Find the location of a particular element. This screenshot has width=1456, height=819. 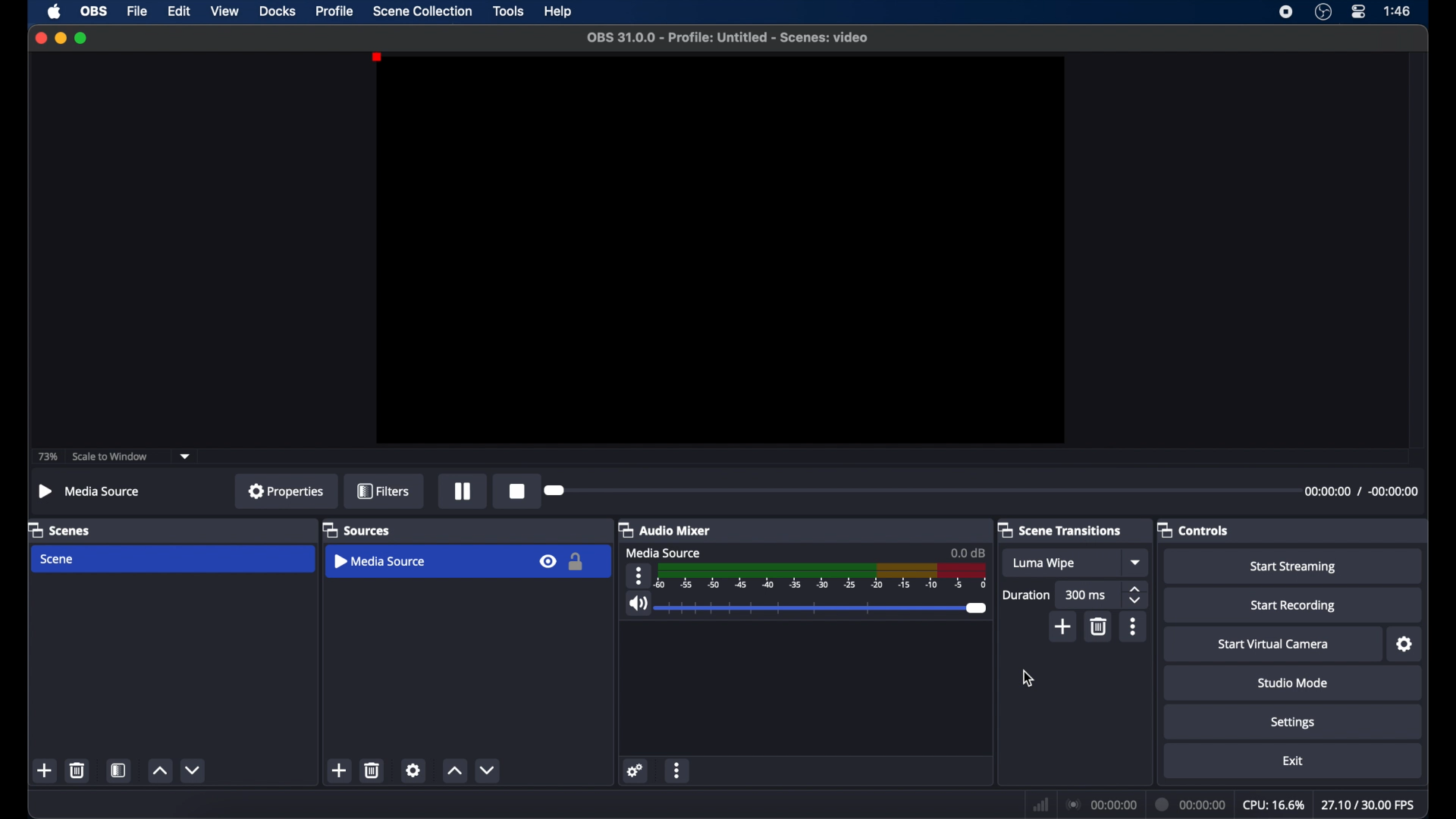

stop is located at coordinates (517, 491).